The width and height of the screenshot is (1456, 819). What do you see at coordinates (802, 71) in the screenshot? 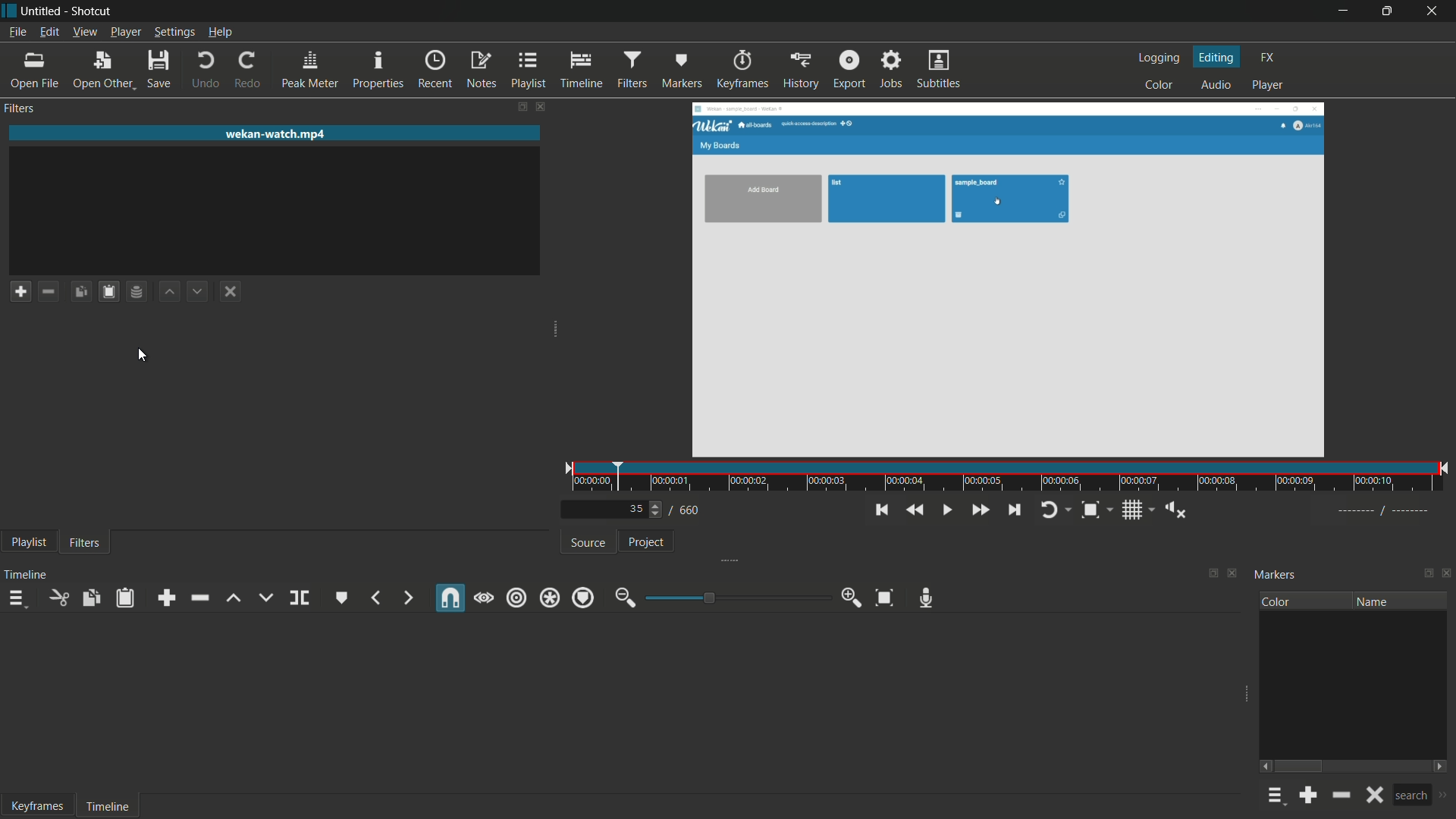
I see `history` at bounding box center [802, 71].